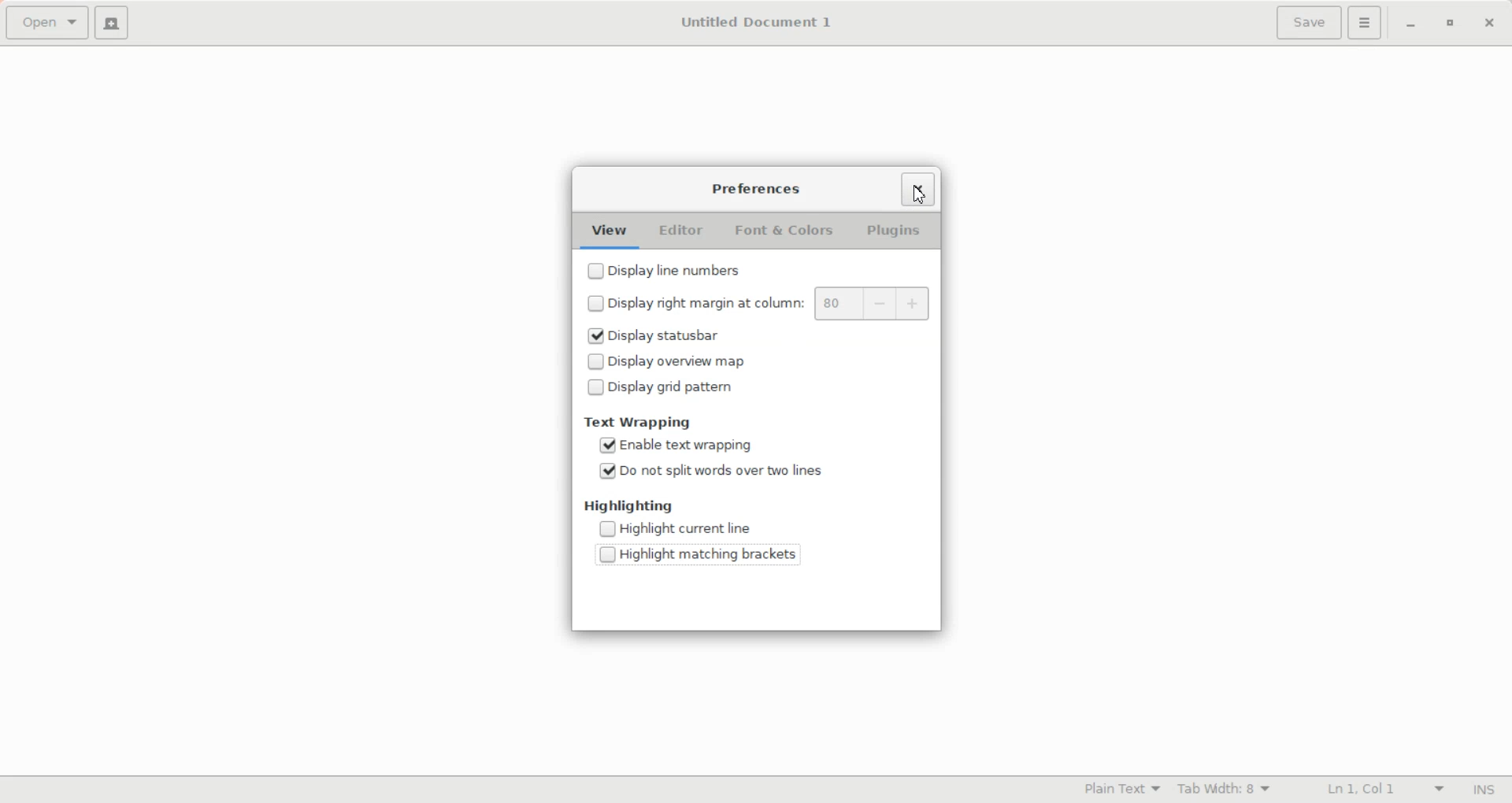 This screenshot has width=1512, height=803. Describe the element at coordinates (1365, 23) in the screenshot. I see `Hamburger settings` at that location.